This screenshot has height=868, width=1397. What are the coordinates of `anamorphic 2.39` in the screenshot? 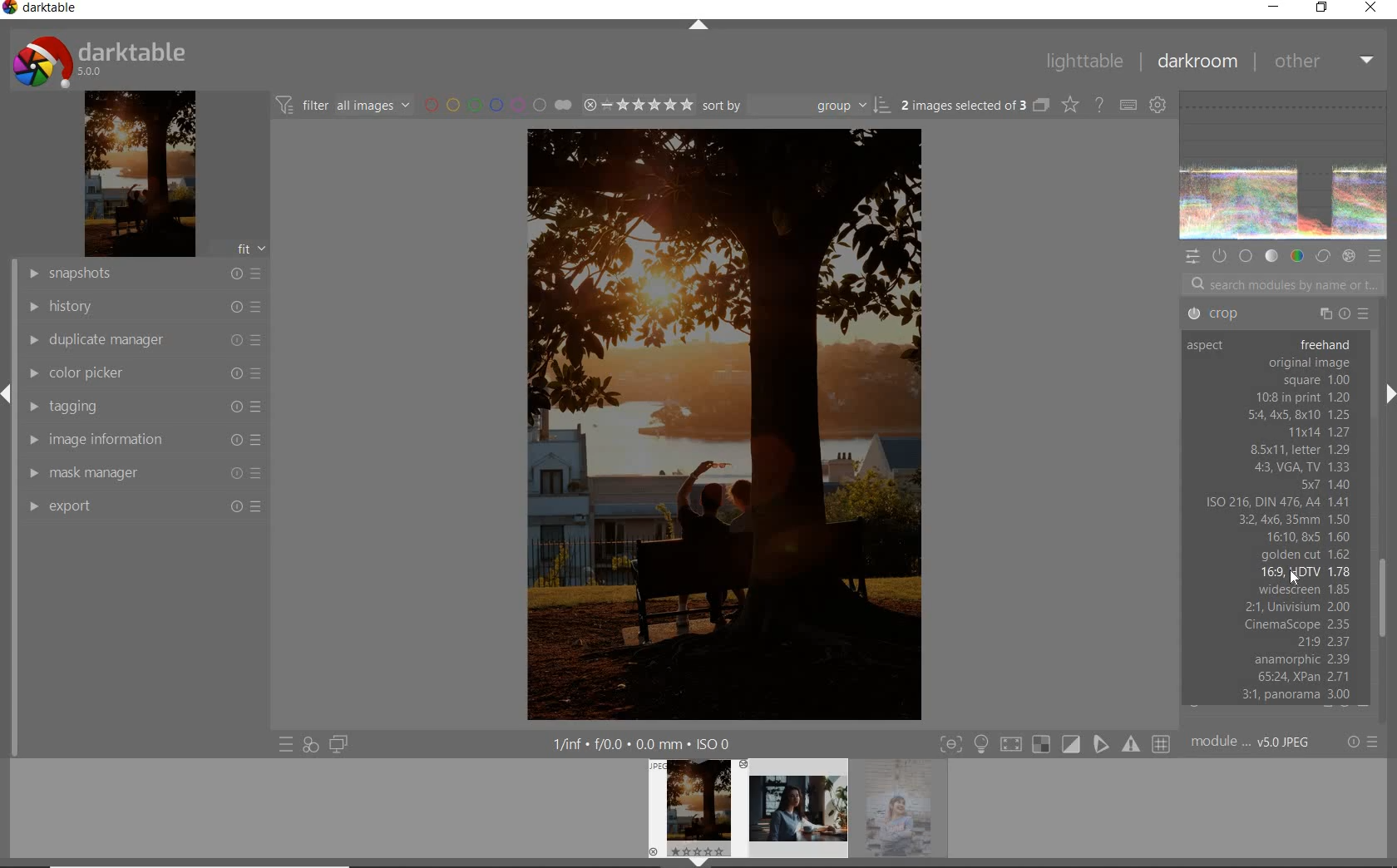 It's located at (1272, 659).